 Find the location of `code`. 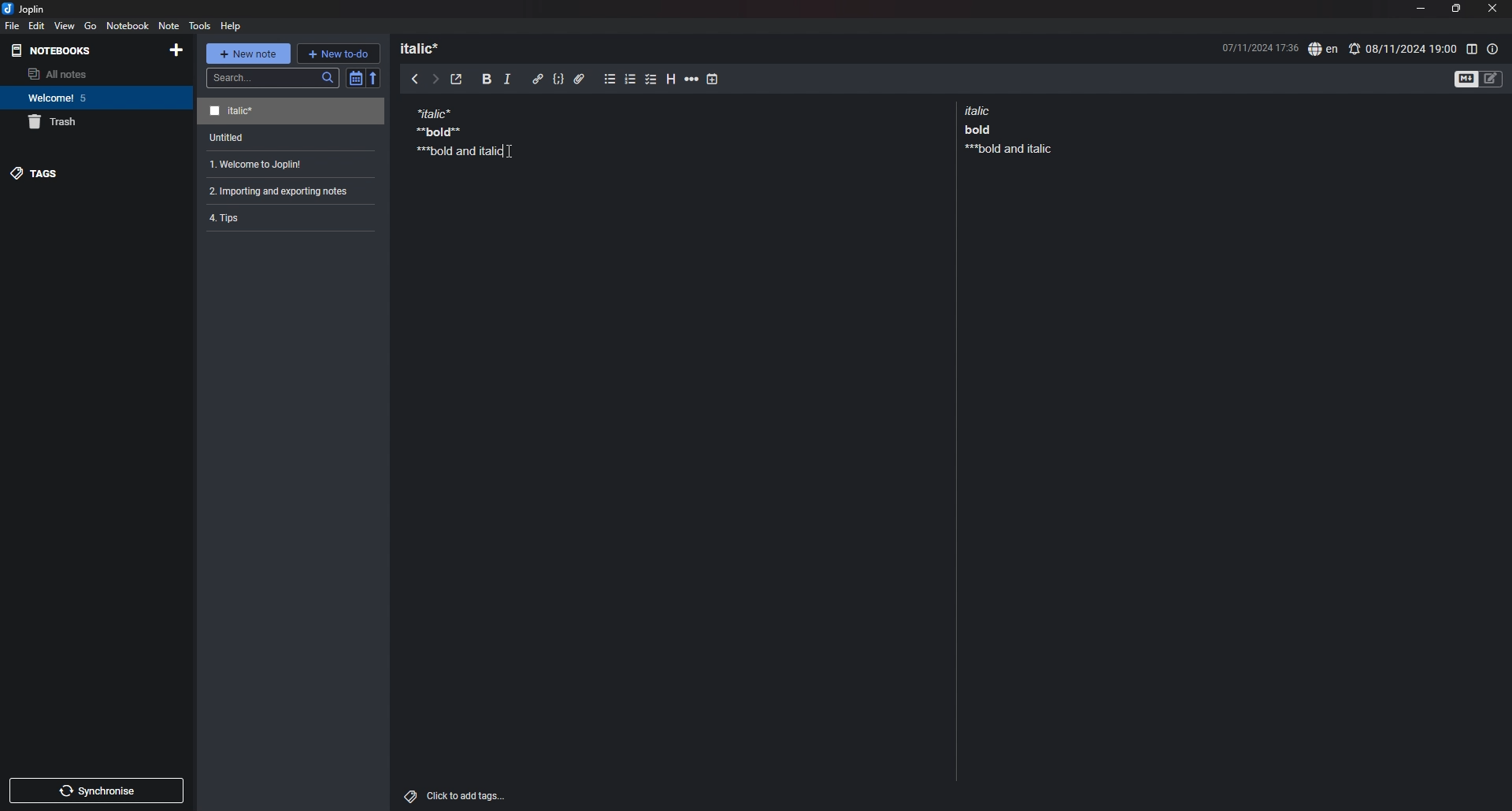

code is located at coordinates (558, 80).